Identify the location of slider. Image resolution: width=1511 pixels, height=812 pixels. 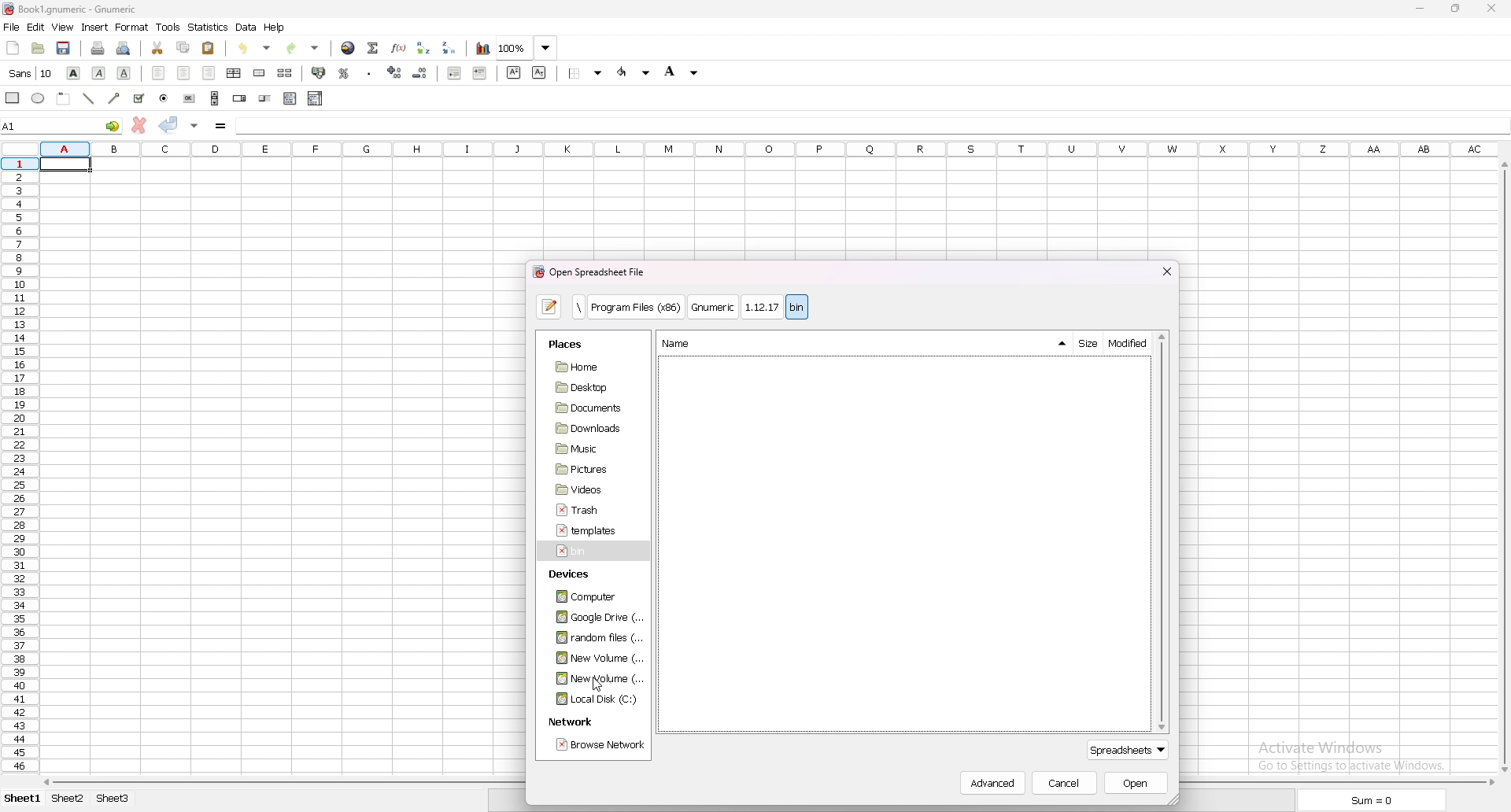
(265, 98).